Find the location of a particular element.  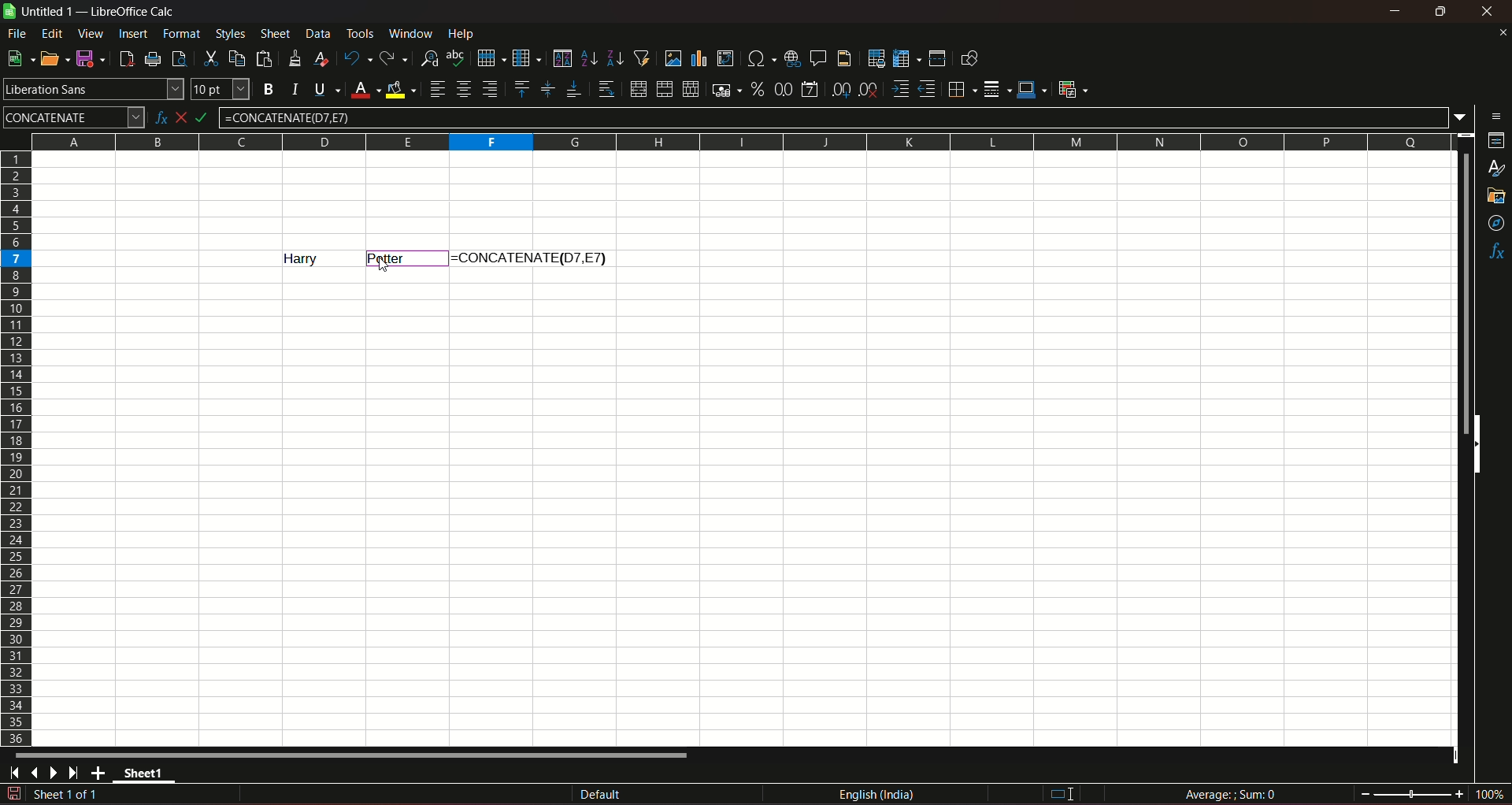

borders is located at coordinates (960, 89).